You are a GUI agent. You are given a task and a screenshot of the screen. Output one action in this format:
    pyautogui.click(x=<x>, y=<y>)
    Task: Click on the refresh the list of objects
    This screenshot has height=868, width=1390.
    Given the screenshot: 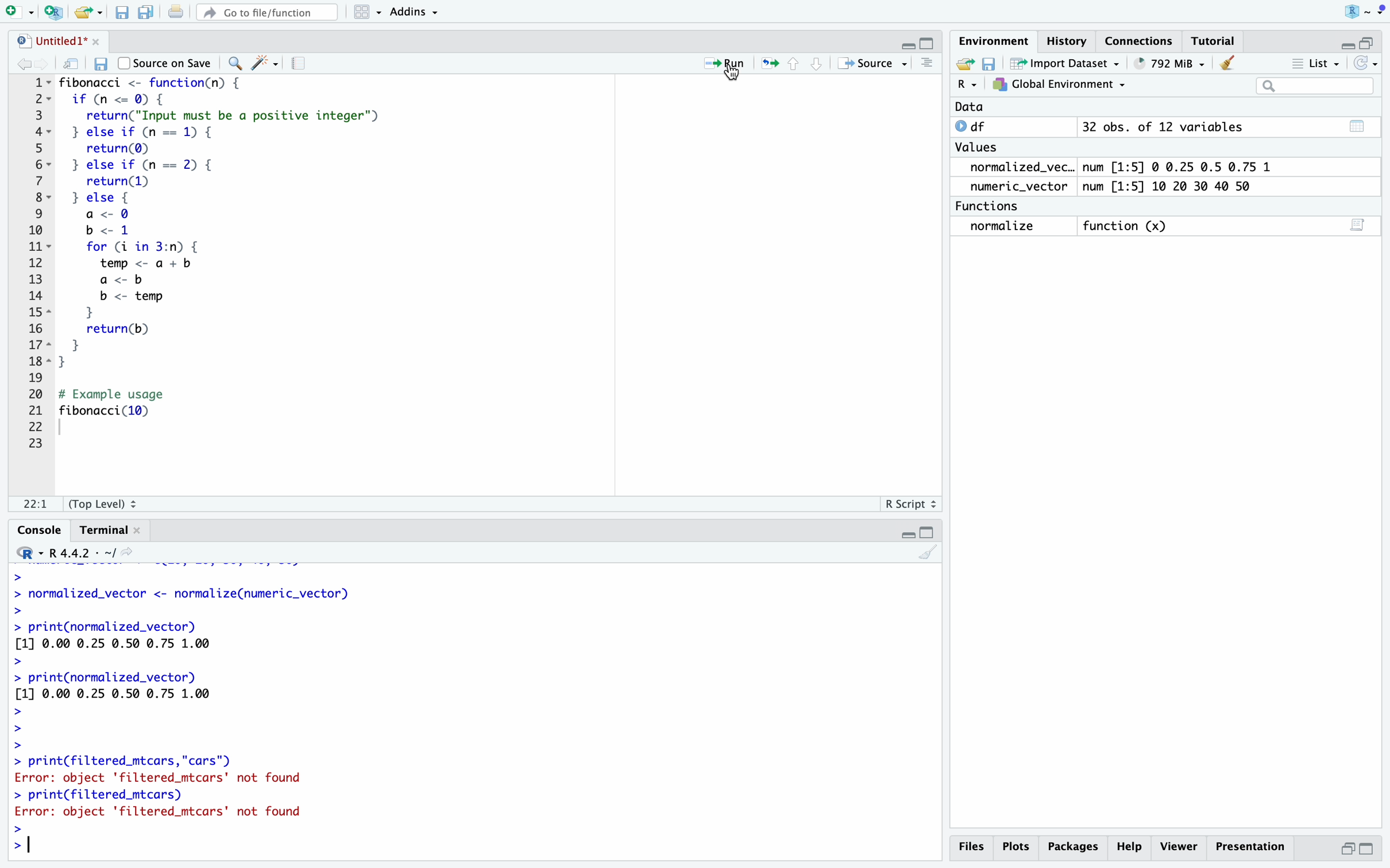 What is the action you would take?
    pyautogui.click(x=1370, y=64)
    